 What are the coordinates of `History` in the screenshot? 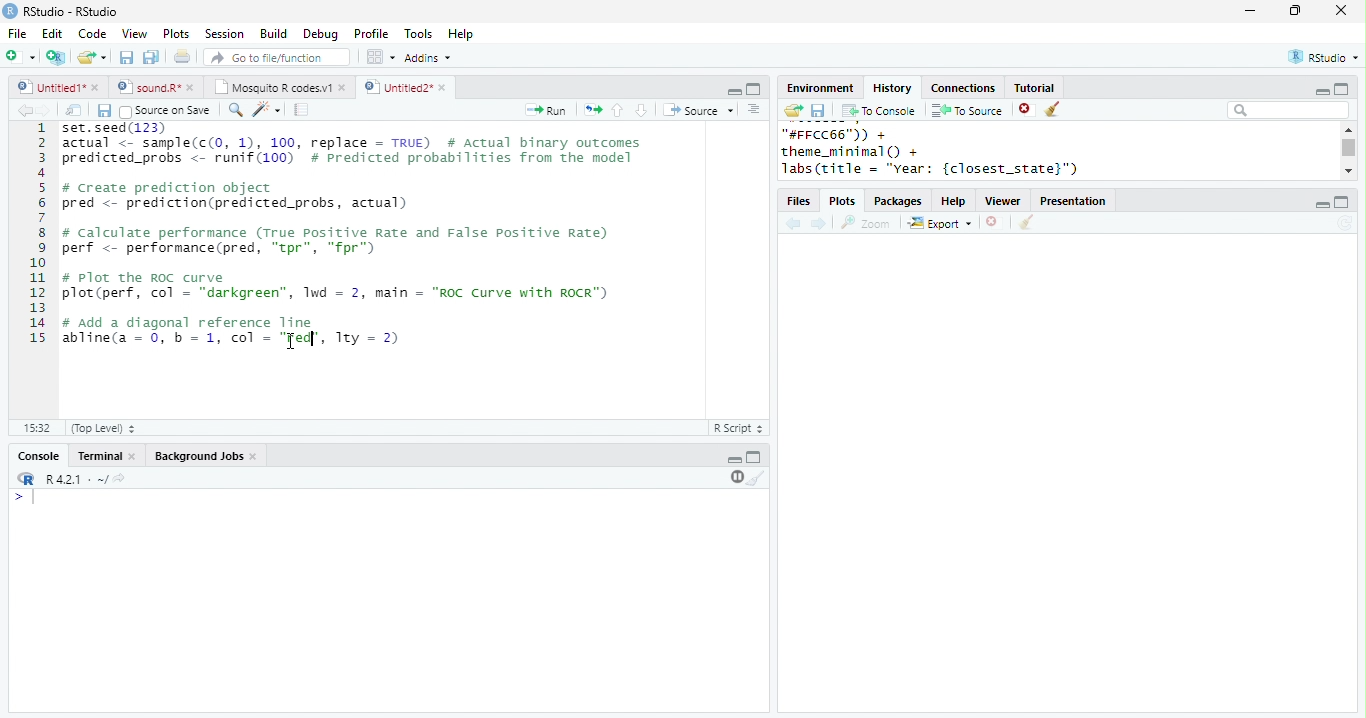 It's located at (892, 88).